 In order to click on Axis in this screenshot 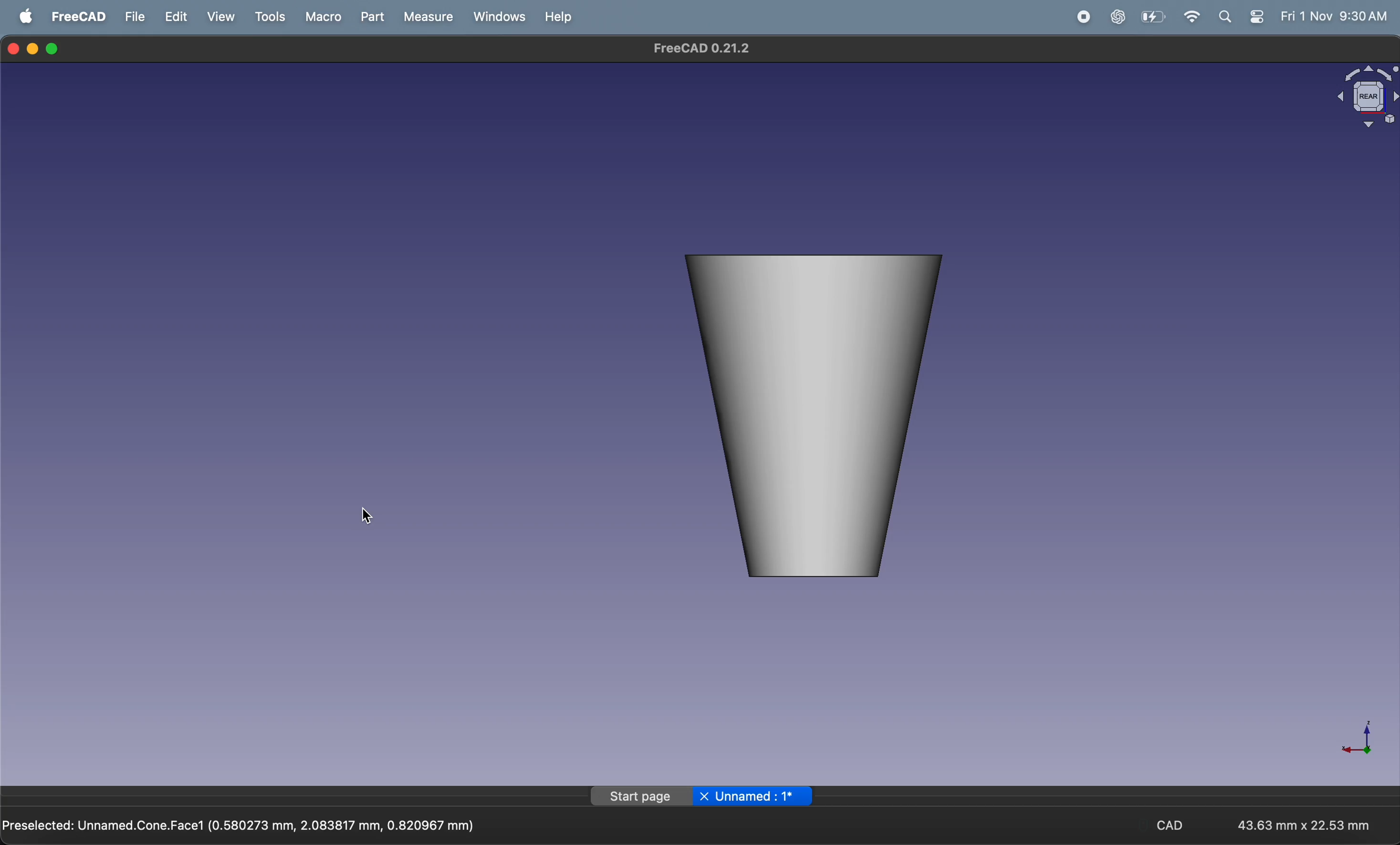, I will do `click(1368, 733)`.